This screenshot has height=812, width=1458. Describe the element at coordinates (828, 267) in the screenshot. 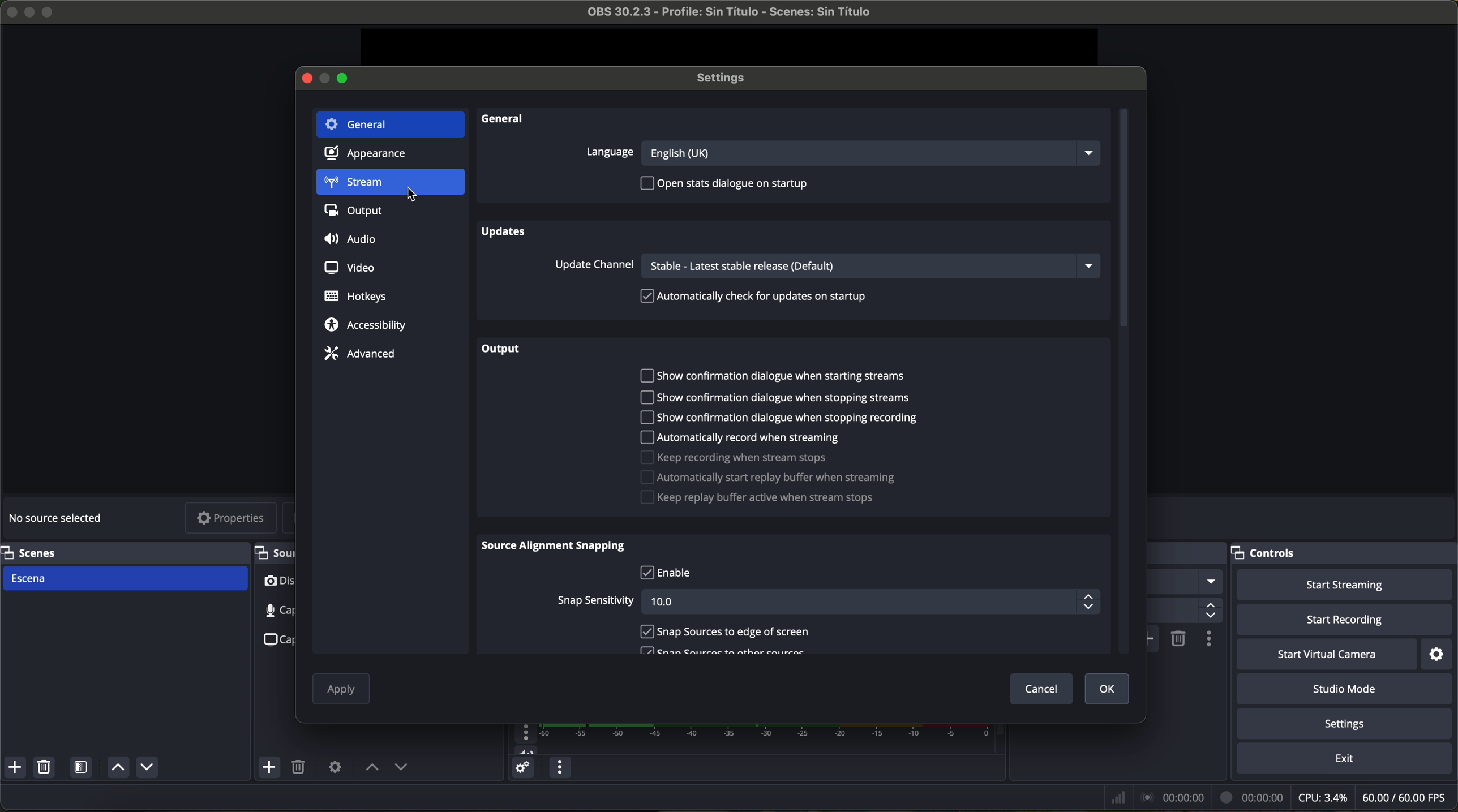

I see `update channel` at that location.